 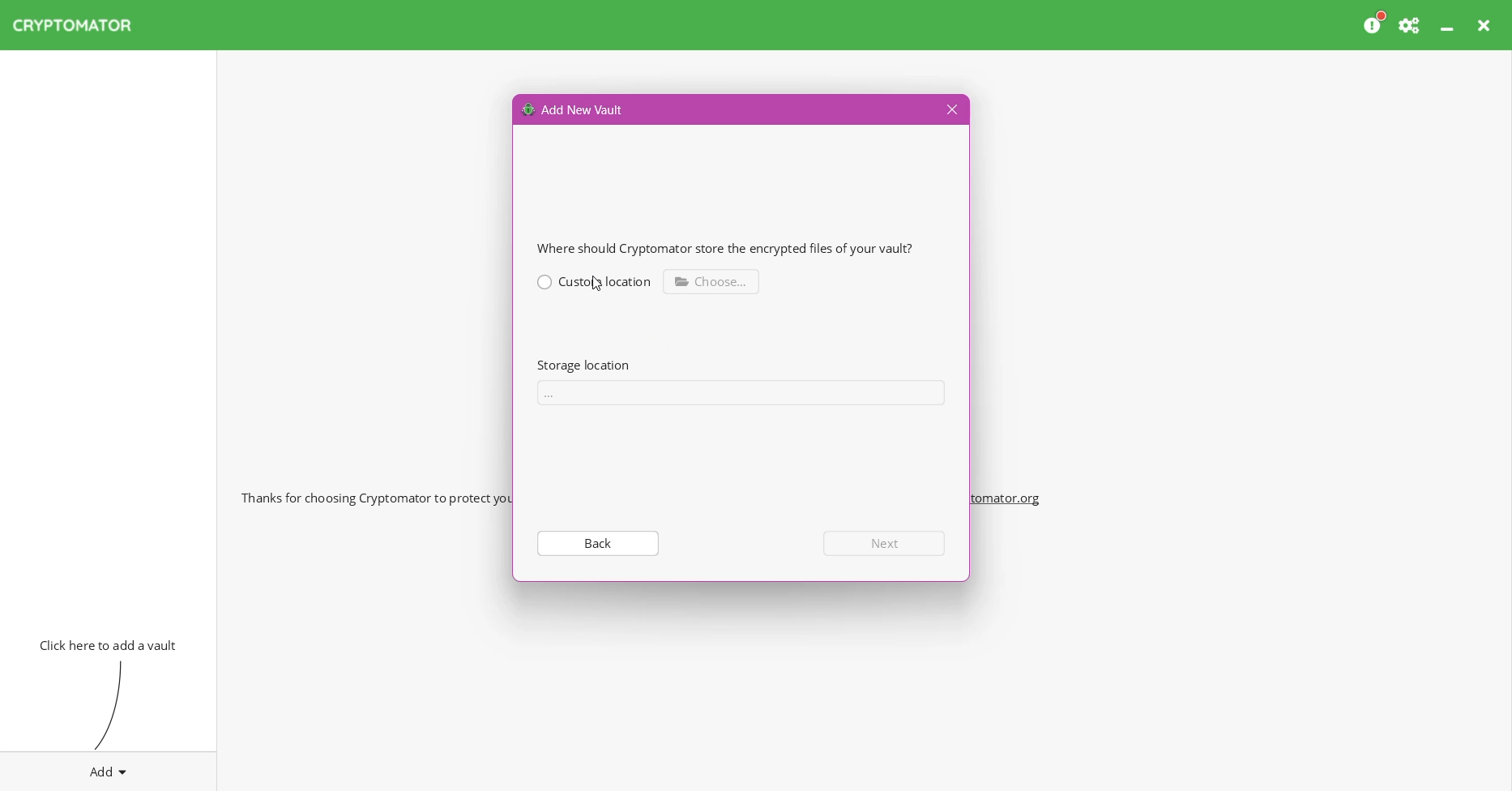 What do you see at coordinates (80, 25) in the screenshot?
I see `CRYPTOMATOR Application Name` at bounding box center [80, 25].